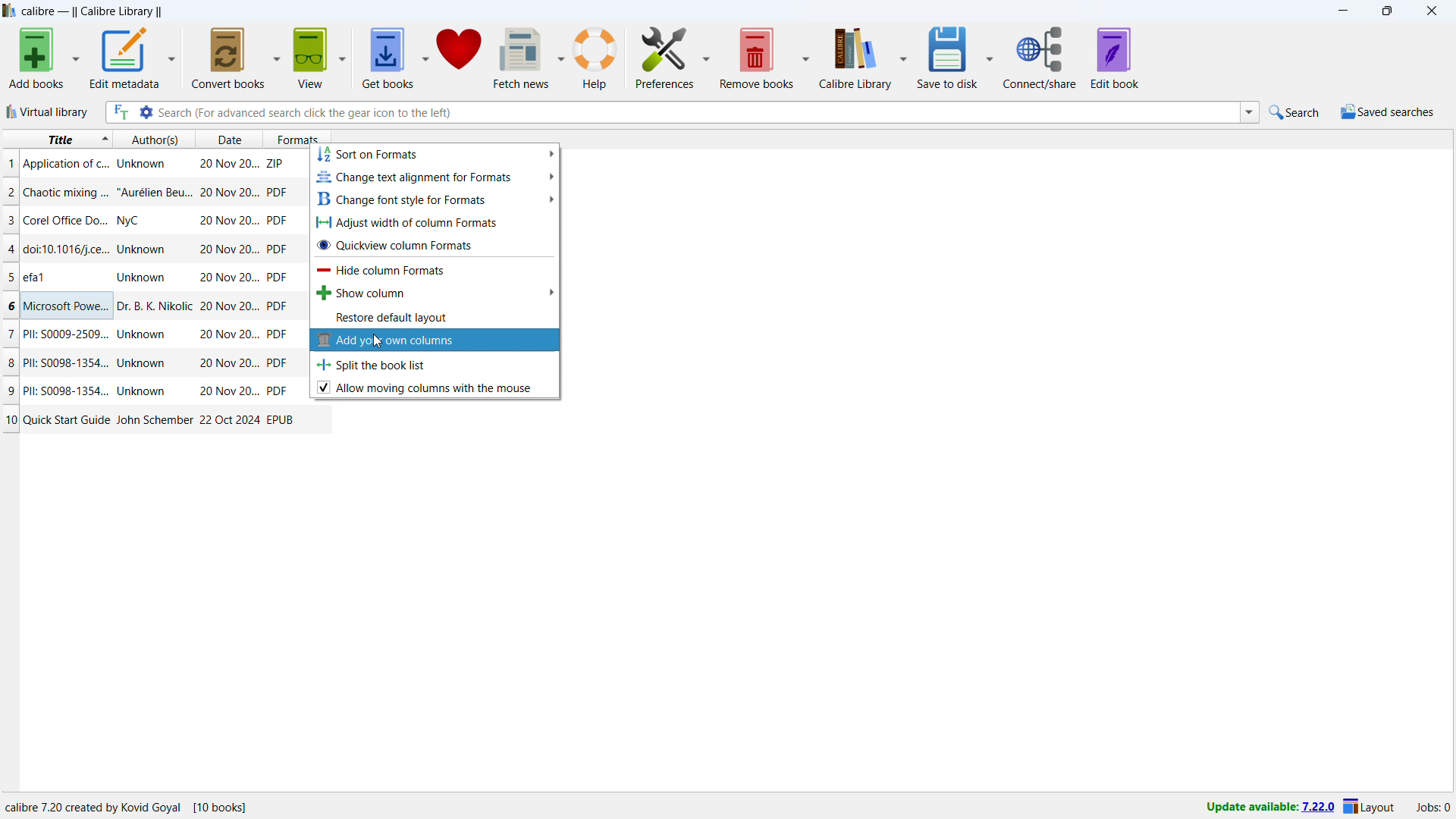  Describe the element at coordinates (48, 112) in the screenshot. I see `virtual library` at that location.